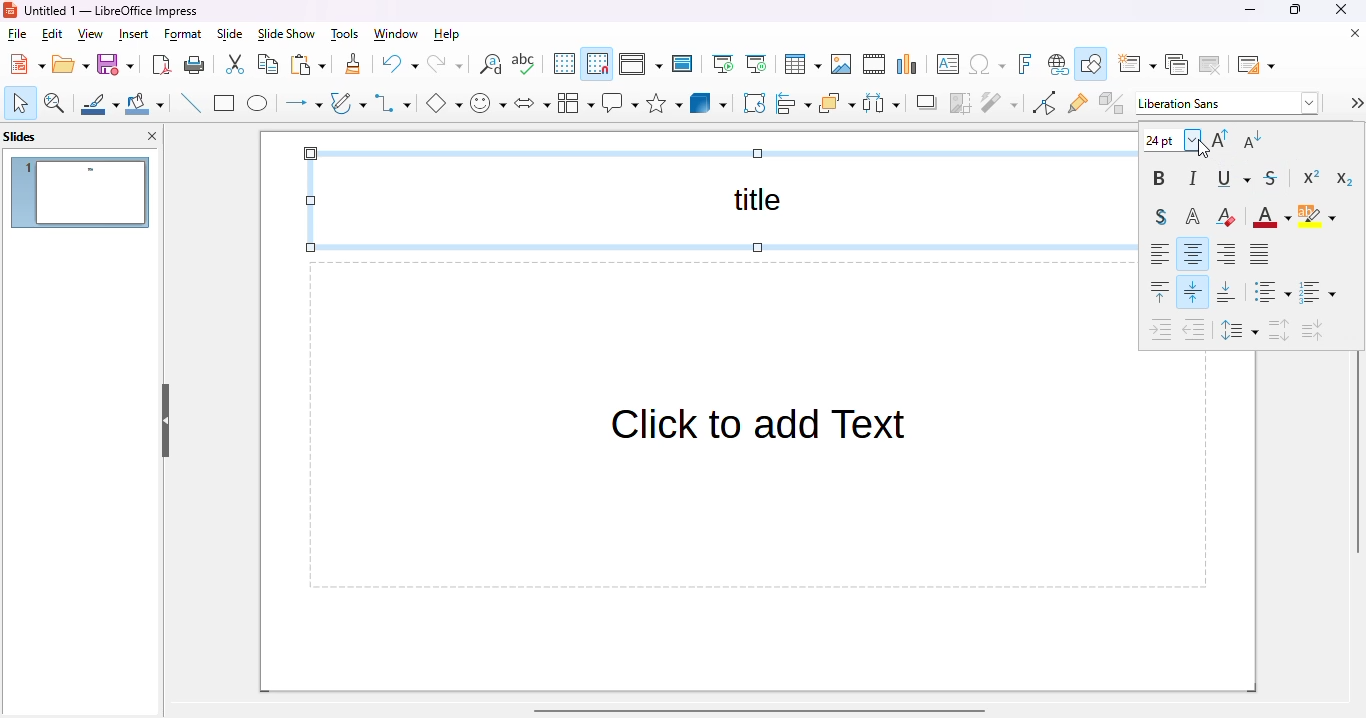 This screenshot has height=718, width=1366. I want to click on help, so click(447, 35).